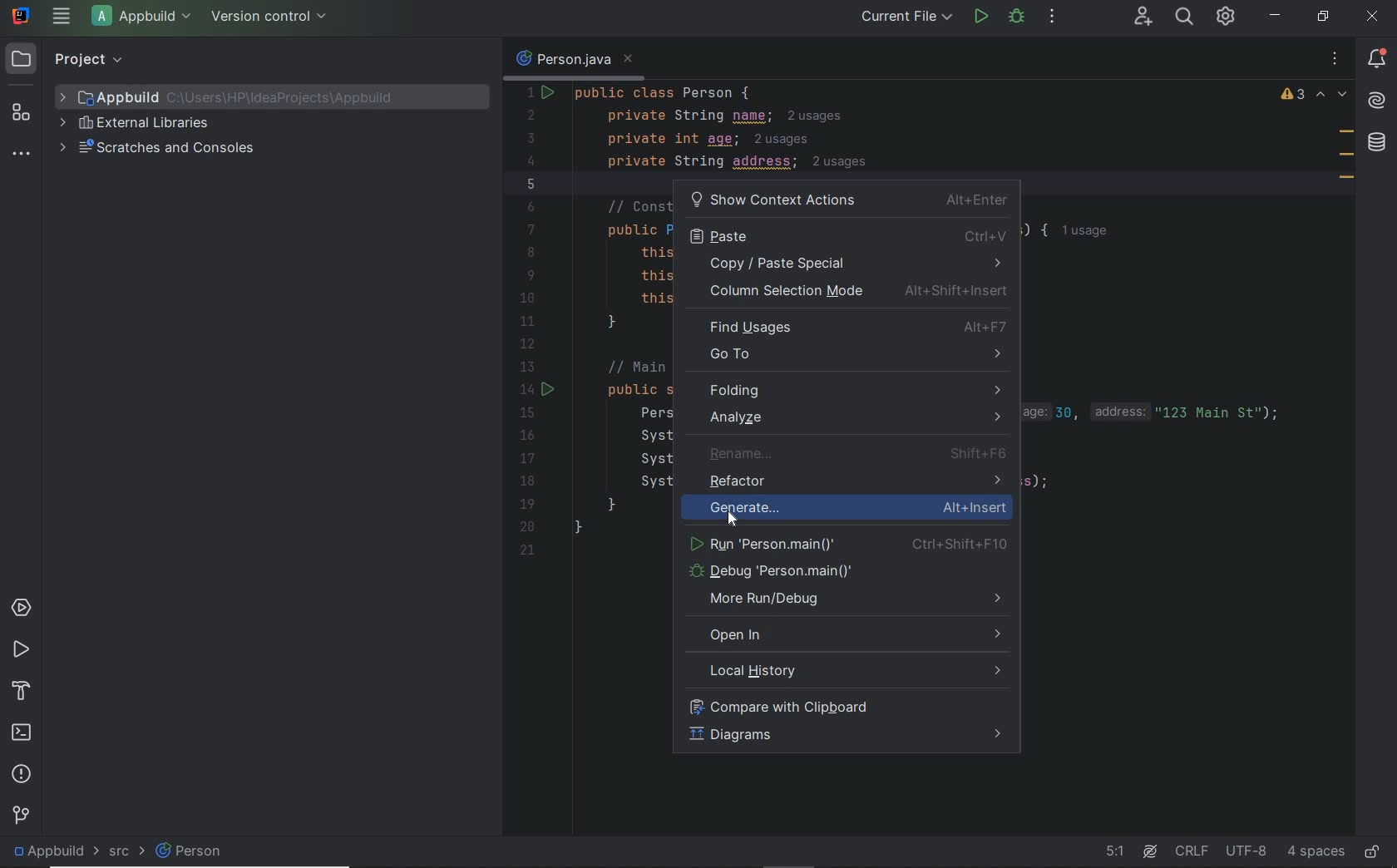  What do you see at coordinates (1275, 15) in the screenshot?
I see `minimize` at bounding box center [1275, 15].